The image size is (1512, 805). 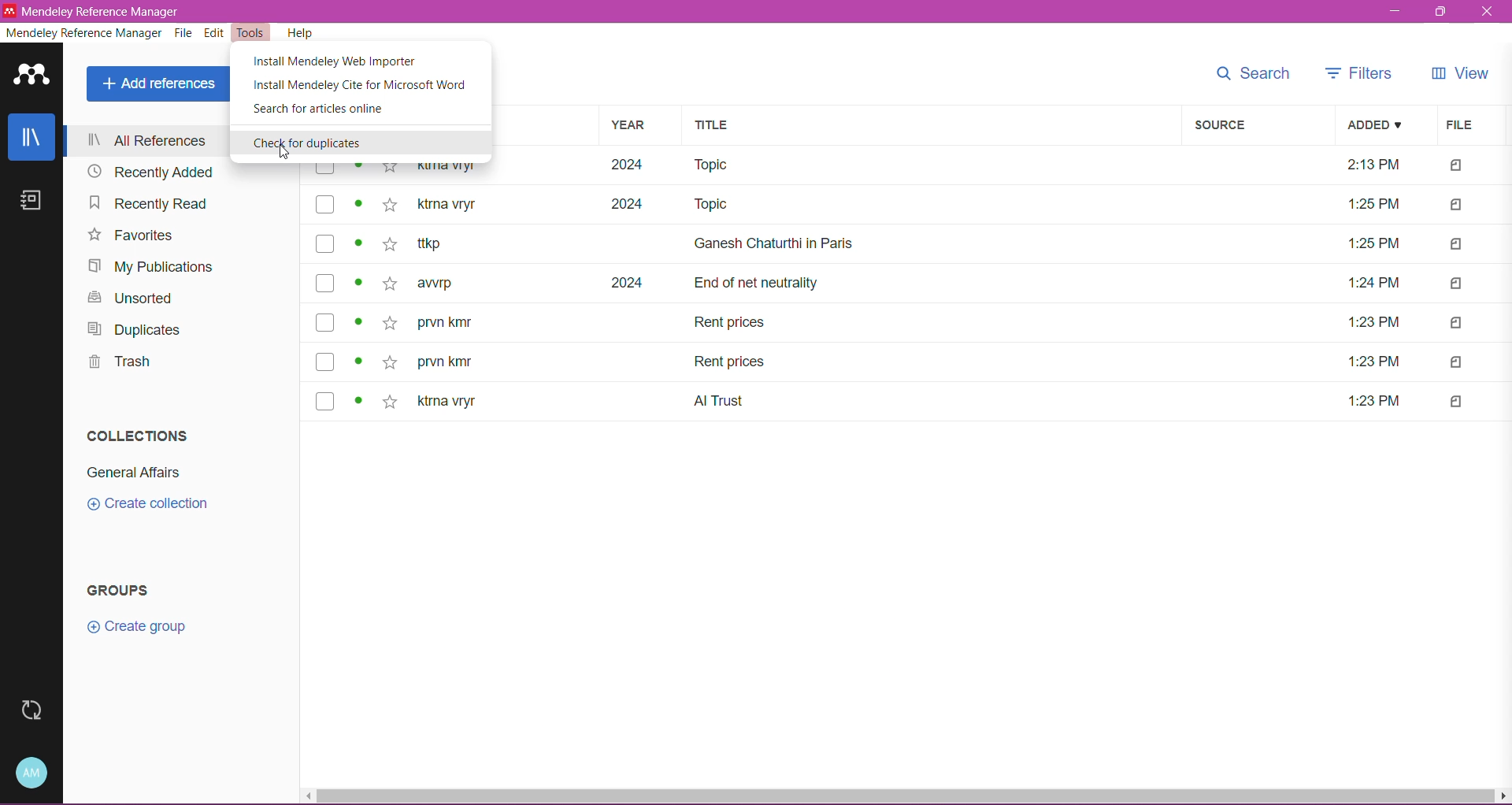 What do you see at coordinates (145, 142) in the screenshot?
I see `All References` at bounding box center [145, 142].